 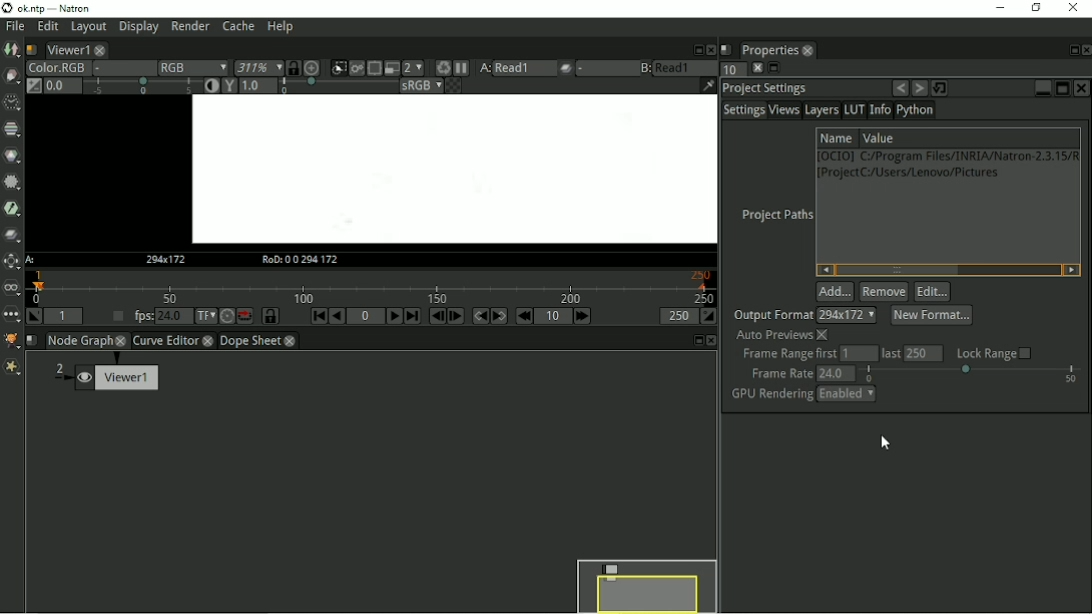 I want to click on Switch between "neutral" 1.0 gain f-stop and the previous setting, so click(x=32, y=86).